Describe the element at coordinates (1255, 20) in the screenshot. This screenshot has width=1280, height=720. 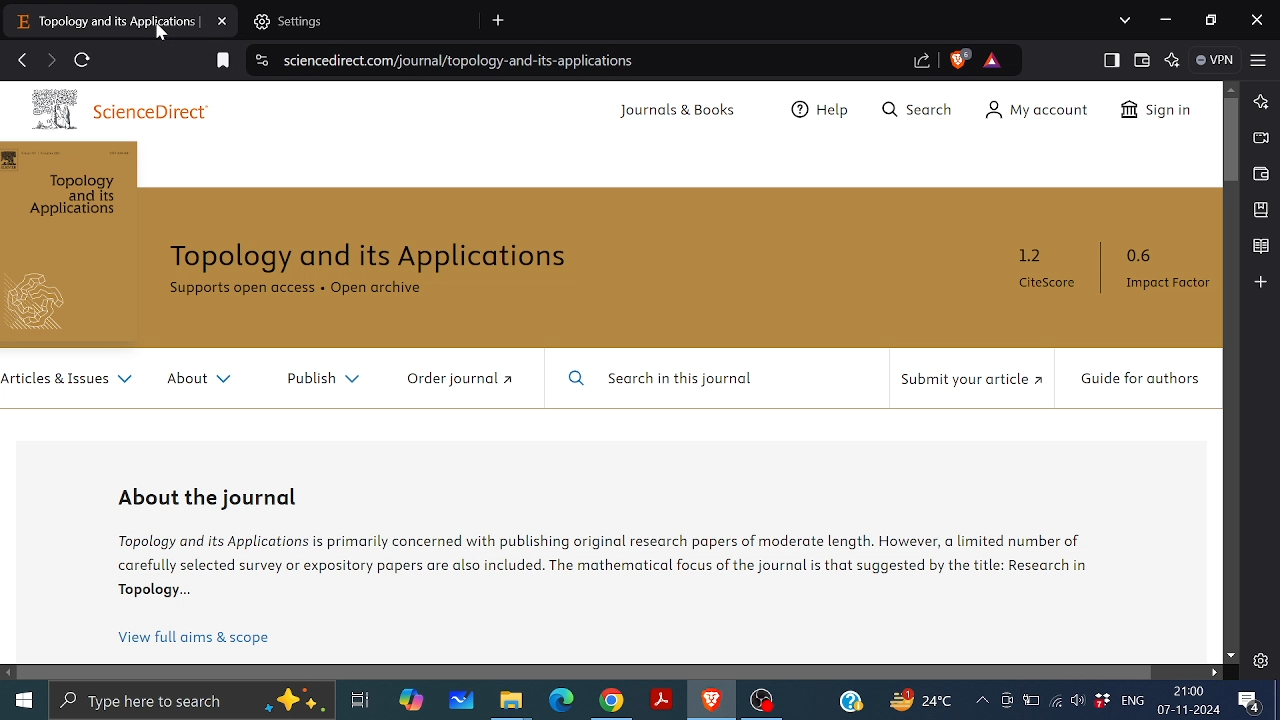
I see `close window` at that location.